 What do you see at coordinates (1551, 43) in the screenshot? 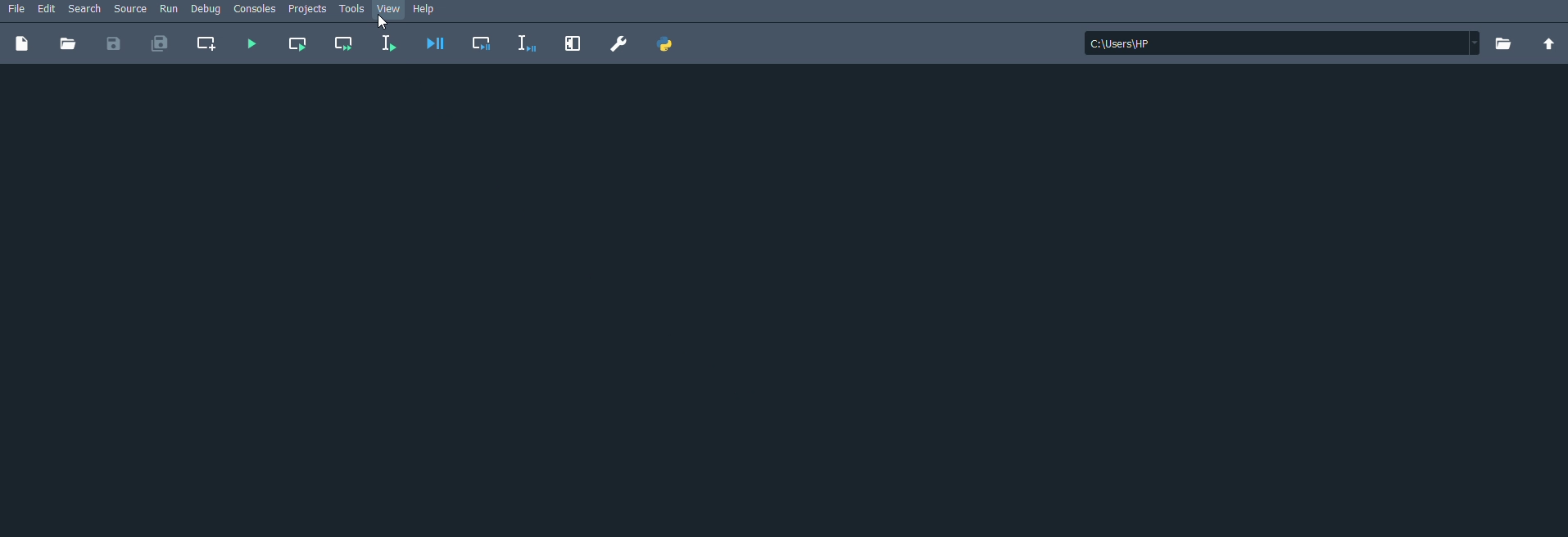
I see `Change to parent directory` at bounding box center [1551, 43].